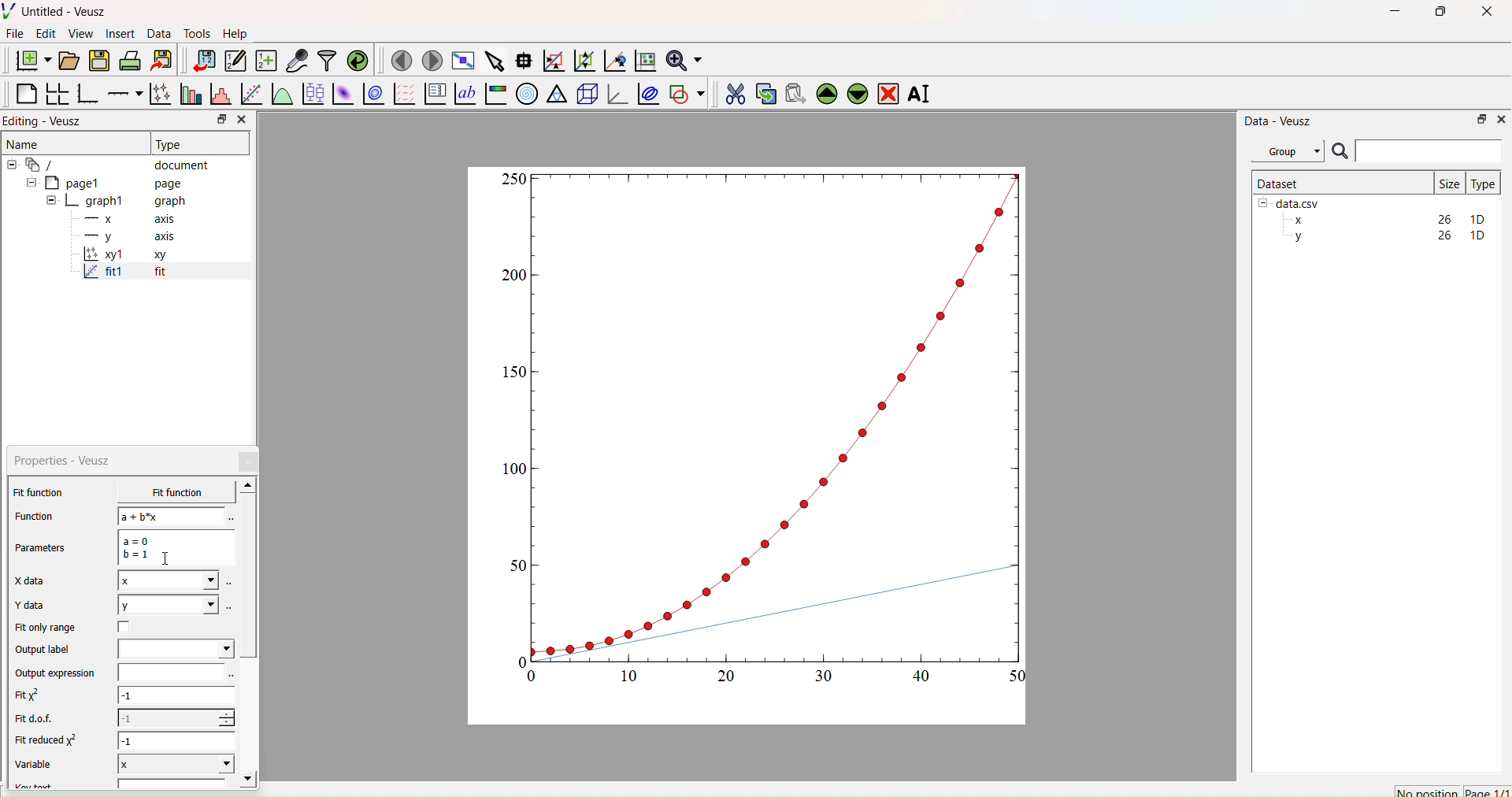 This screenshot has width=1512, height=797. I want to click on | Size, so click(1449, 182).